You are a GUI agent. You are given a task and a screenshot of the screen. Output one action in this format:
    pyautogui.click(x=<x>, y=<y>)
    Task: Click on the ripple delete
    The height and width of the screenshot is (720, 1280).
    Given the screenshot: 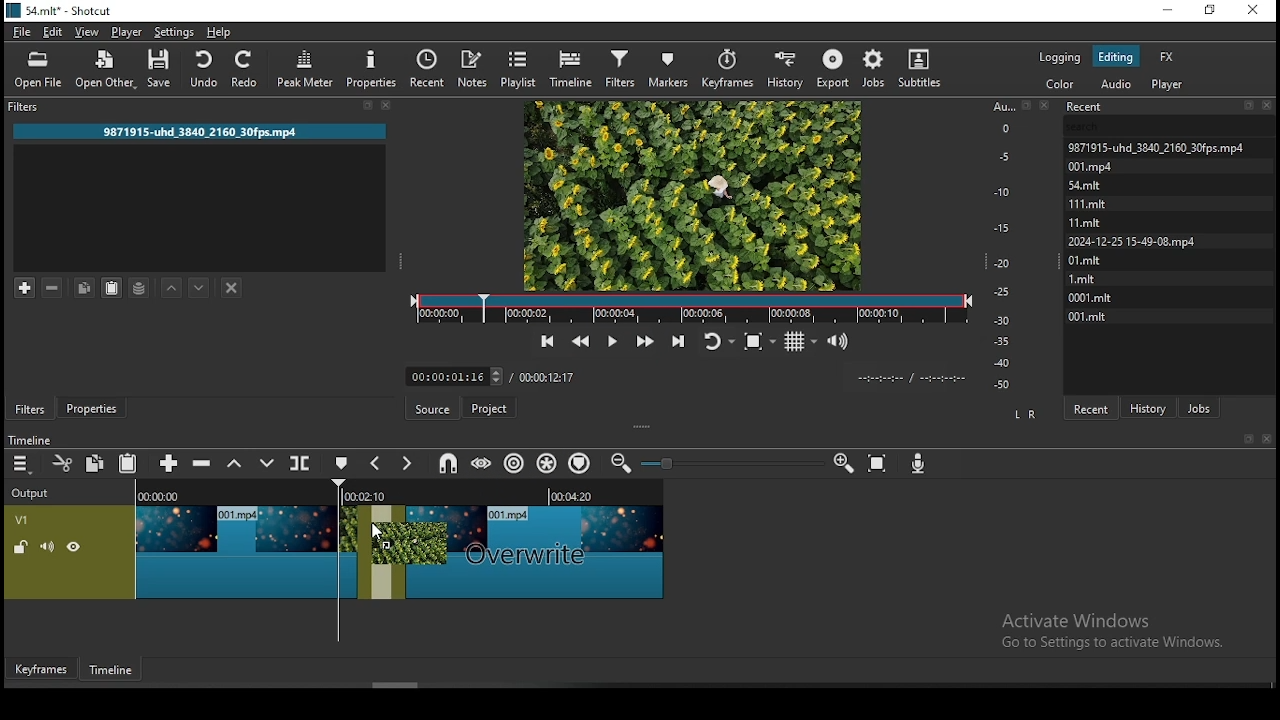 What is the action you would take?
    pyautogui.click(x=201, y=462)
    